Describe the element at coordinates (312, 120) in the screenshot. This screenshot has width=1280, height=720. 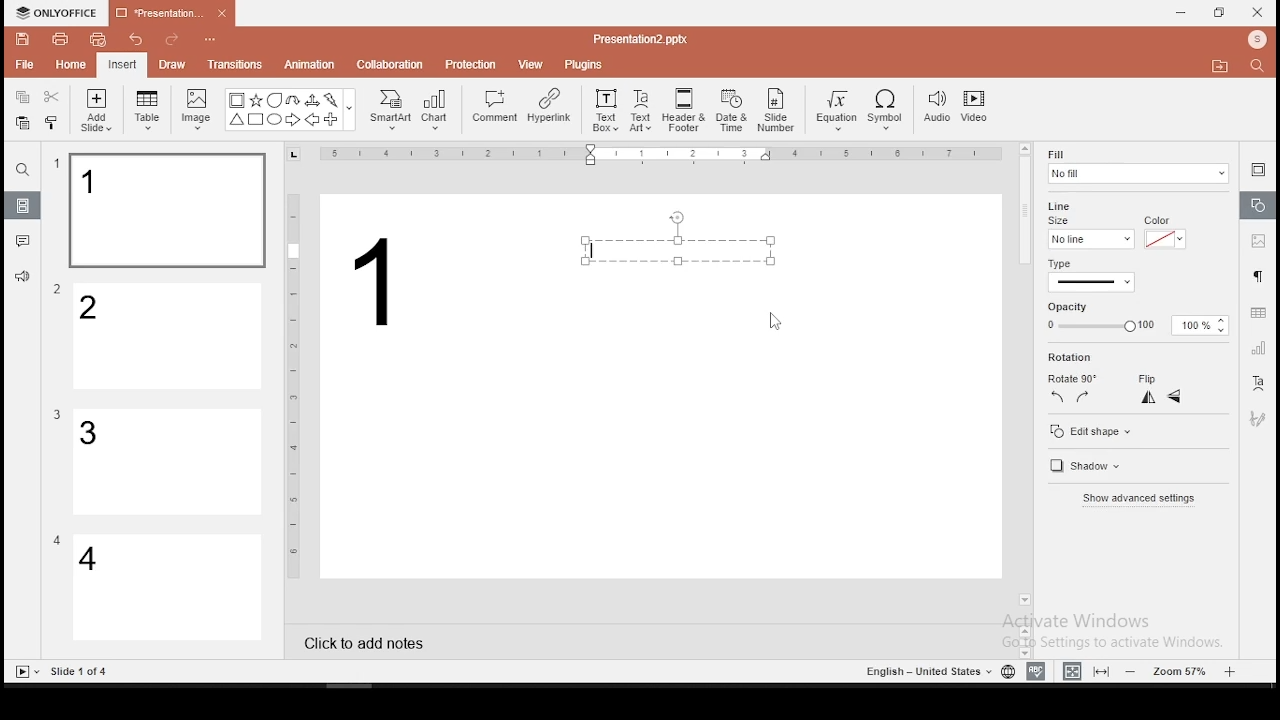
I see `Arrow Left` at that location.